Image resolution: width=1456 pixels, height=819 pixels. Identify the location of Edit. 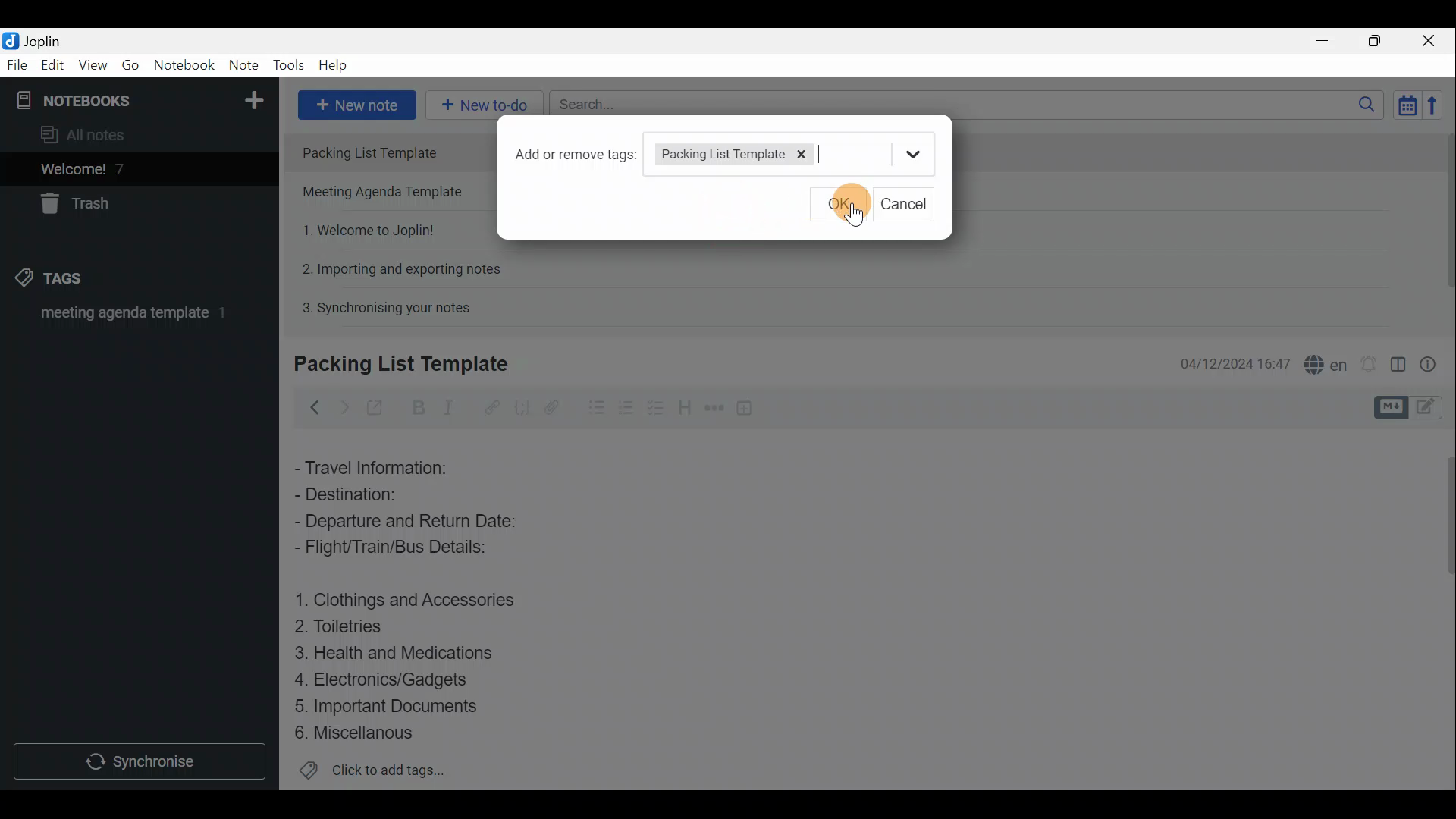
(49, 66).